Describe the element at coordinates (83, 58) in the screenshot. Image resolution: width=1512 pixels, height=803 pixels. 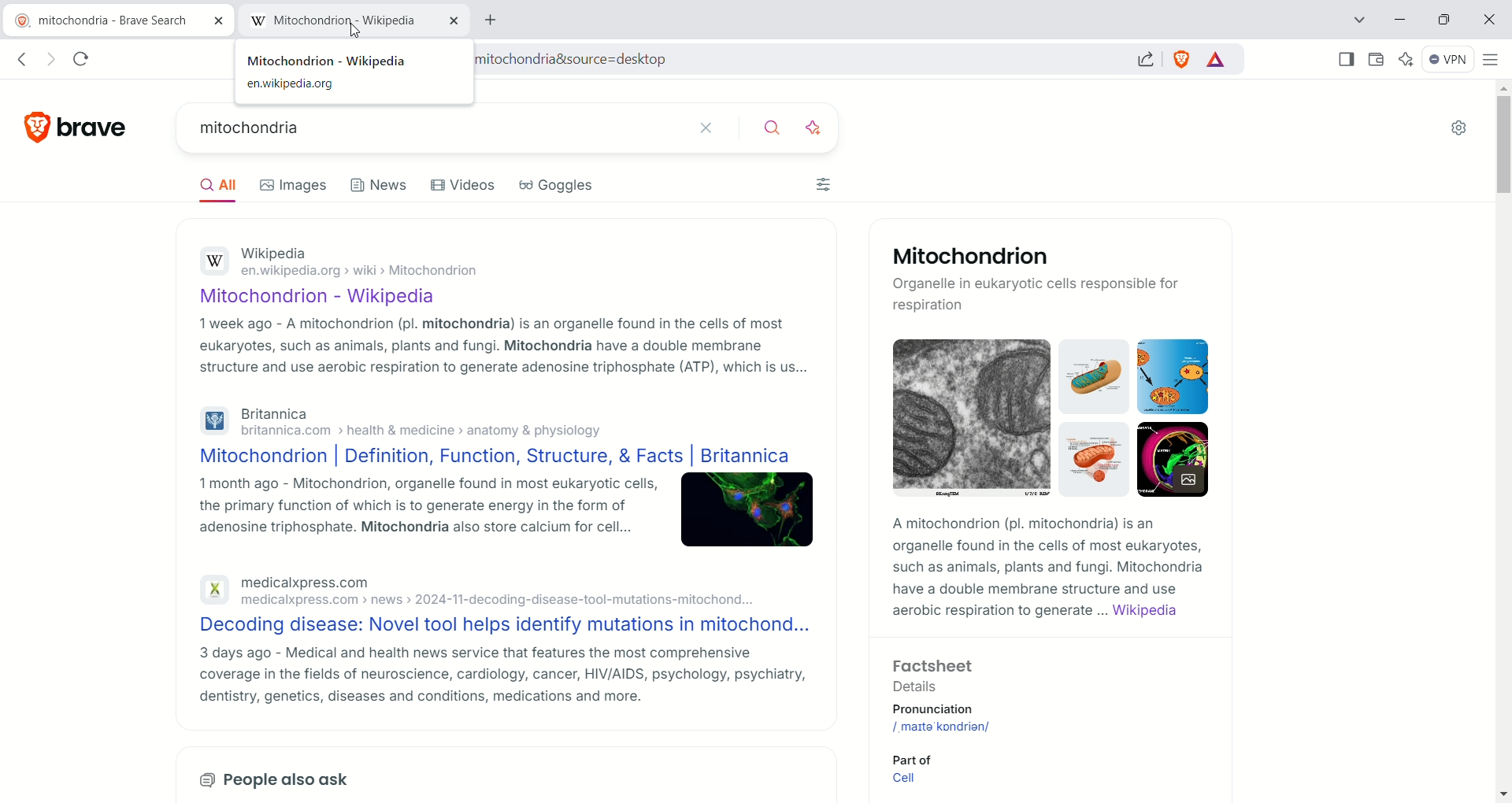
I see `reload` at that location.